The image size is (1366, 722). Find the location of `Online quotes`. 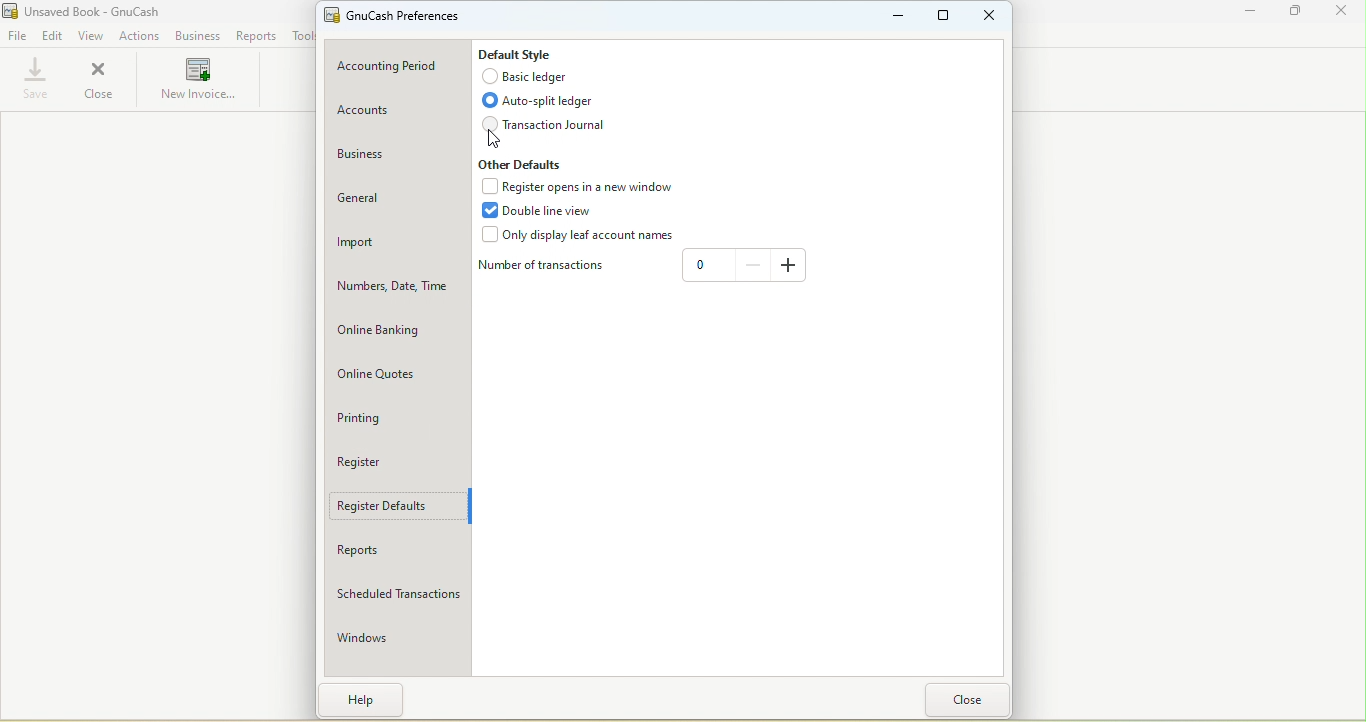

Online quotes is located at coordinates (396, 373).